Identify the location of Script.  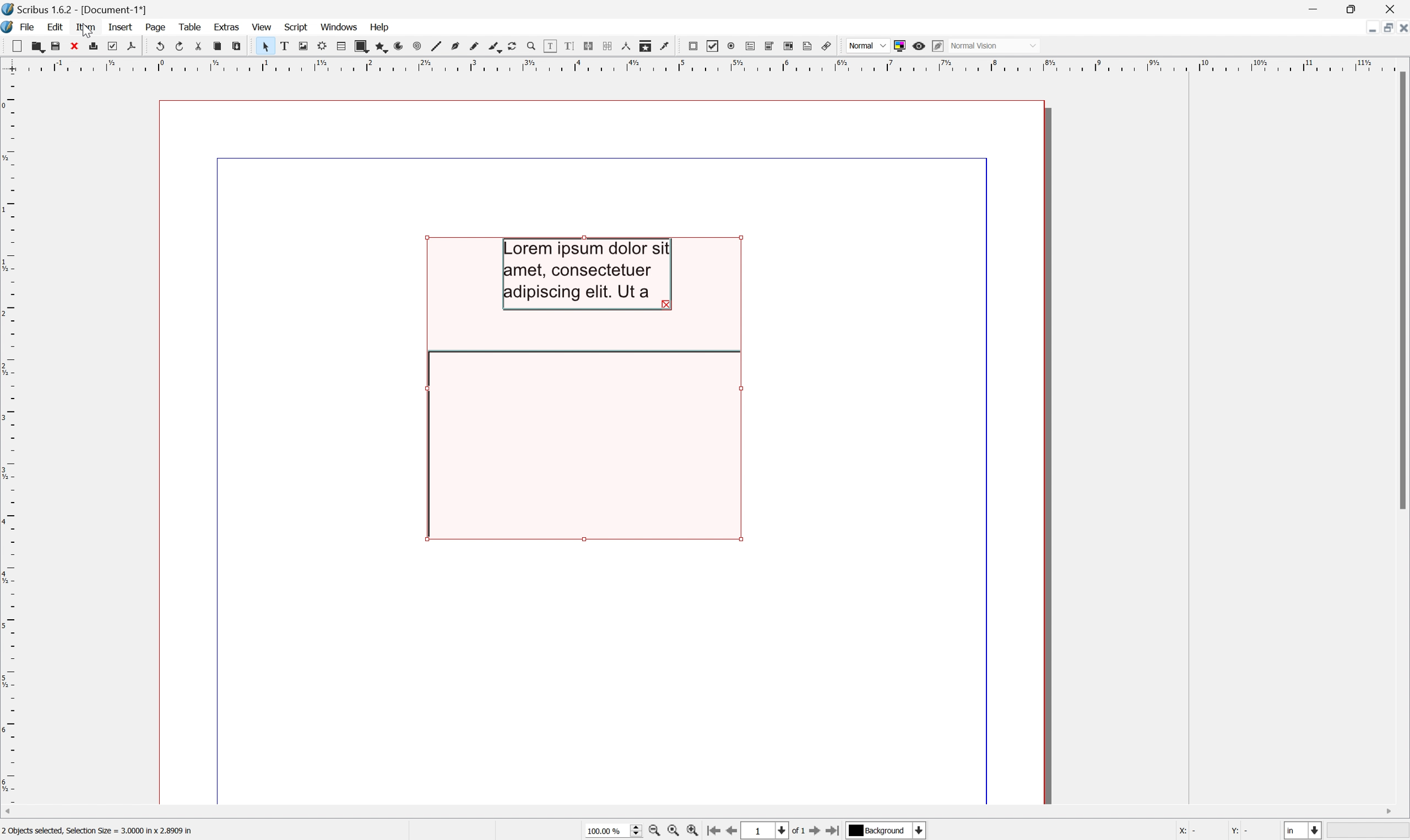
(296, 25).